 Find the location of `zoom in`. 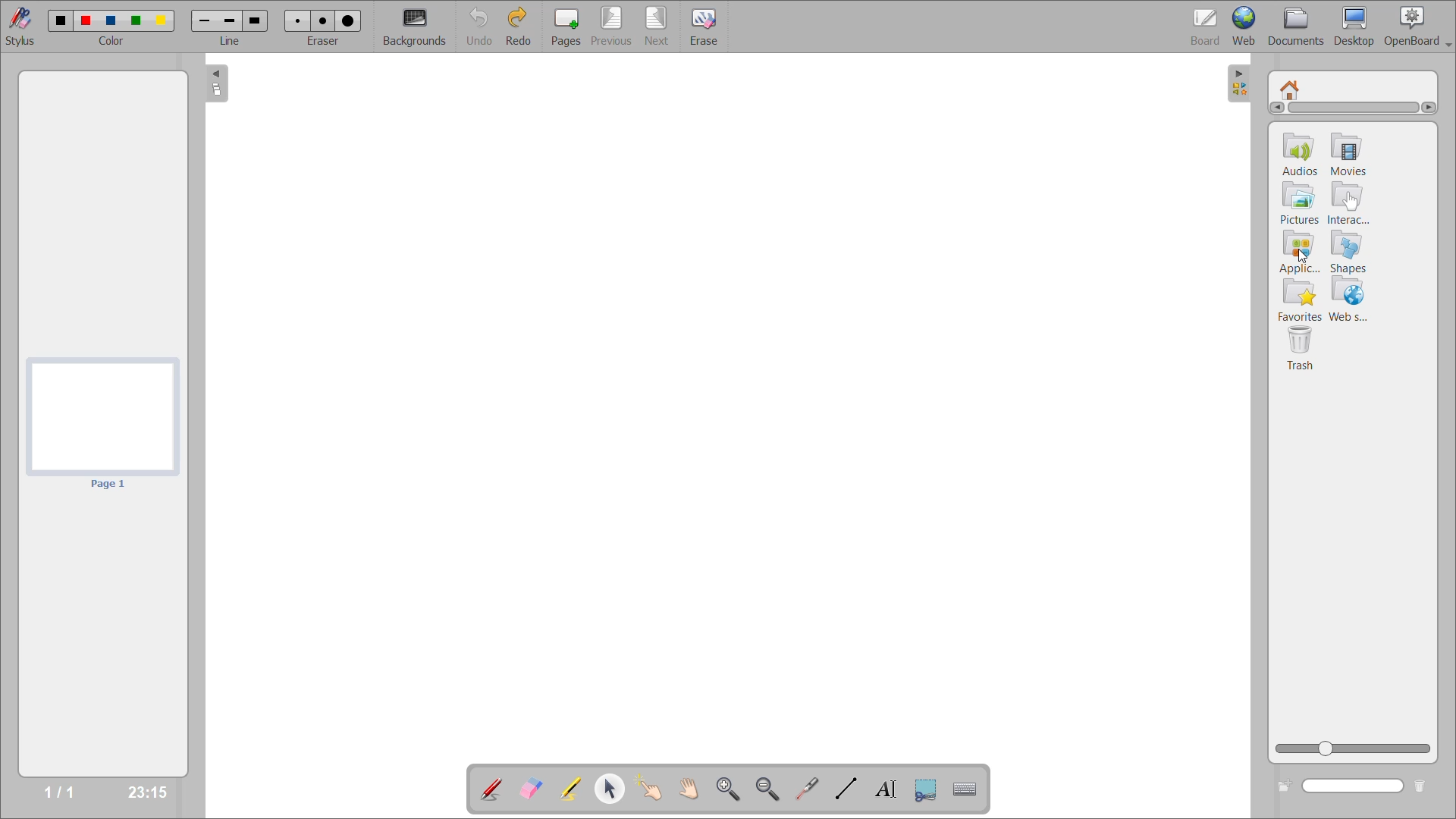

zoom in is located at coordinates (731, 789).